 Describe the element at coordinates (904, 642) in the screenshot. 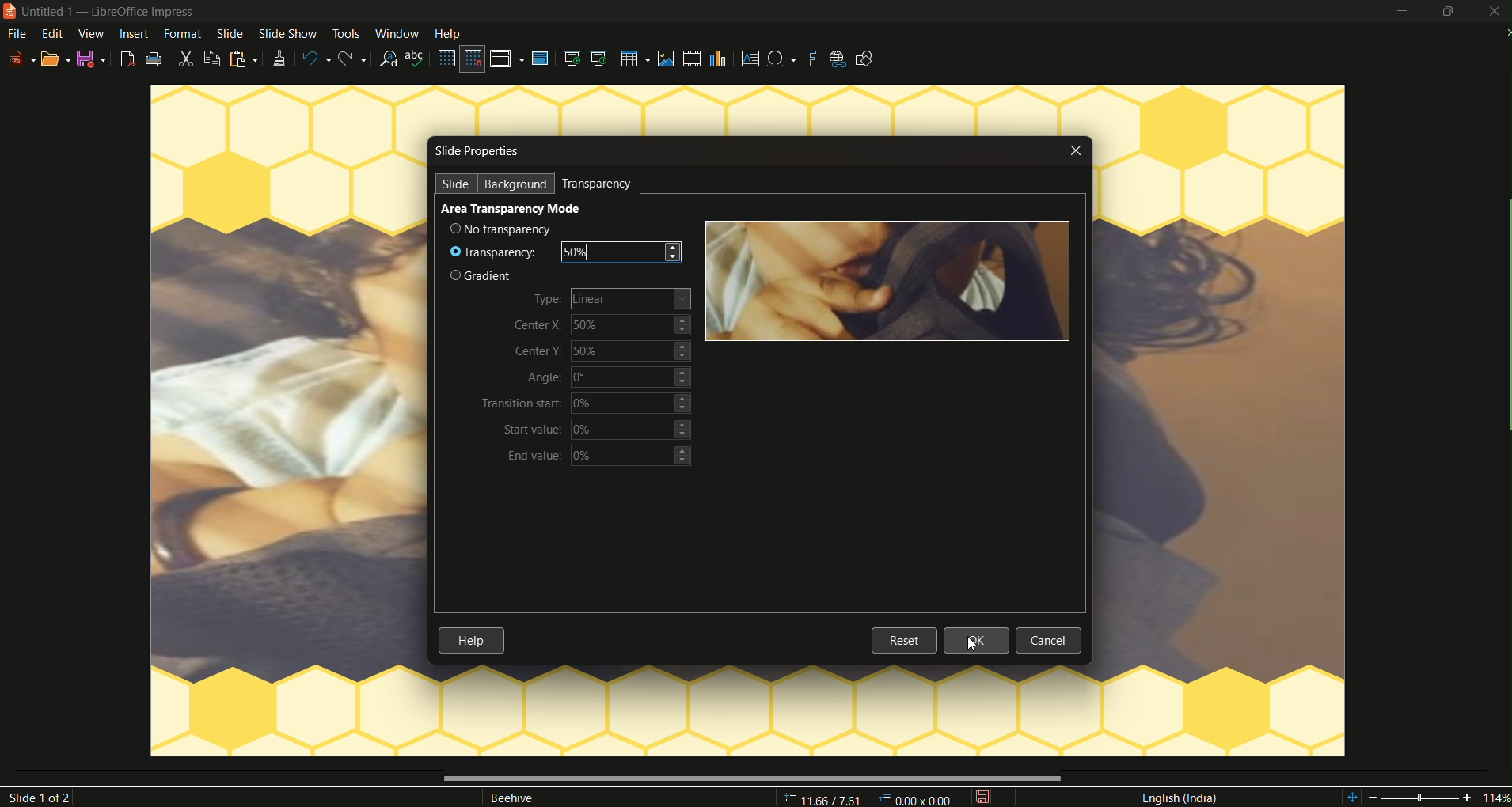

I see `reset` at that location.